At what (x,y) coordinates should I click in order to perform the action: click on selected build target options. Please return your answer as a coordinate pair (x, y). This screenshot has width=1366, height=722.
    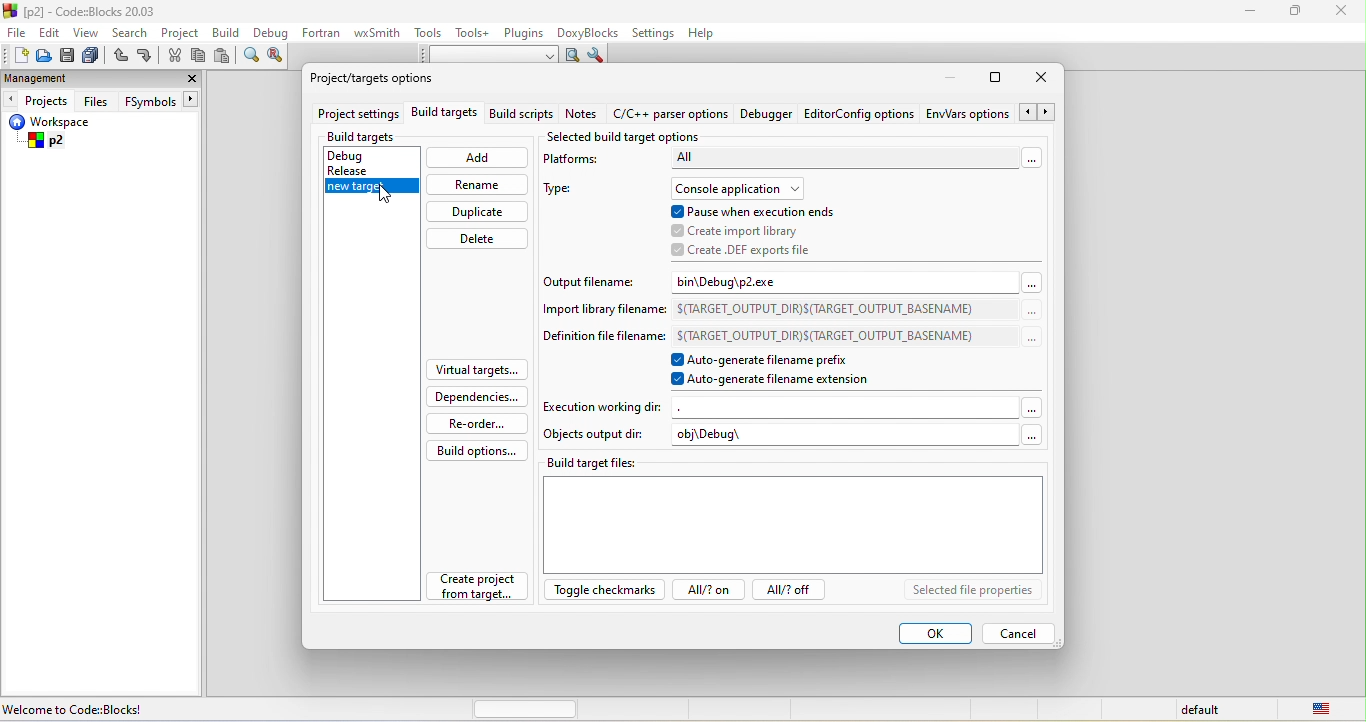
    Looking at the image, I should click on (626, 136).